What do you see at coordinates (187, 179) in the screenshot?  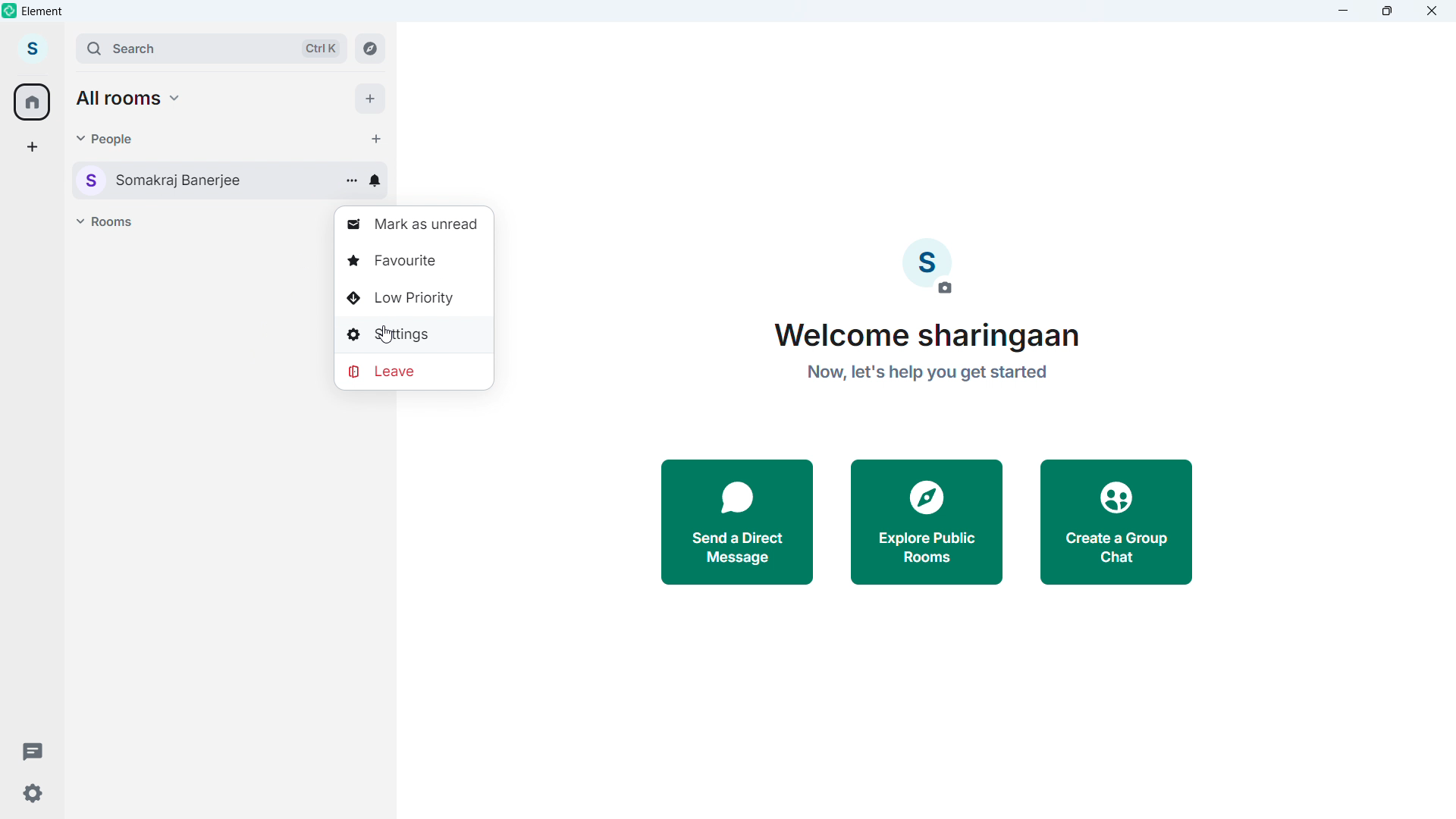 I see `User Conversation  ` at bounding box center [187, 179].